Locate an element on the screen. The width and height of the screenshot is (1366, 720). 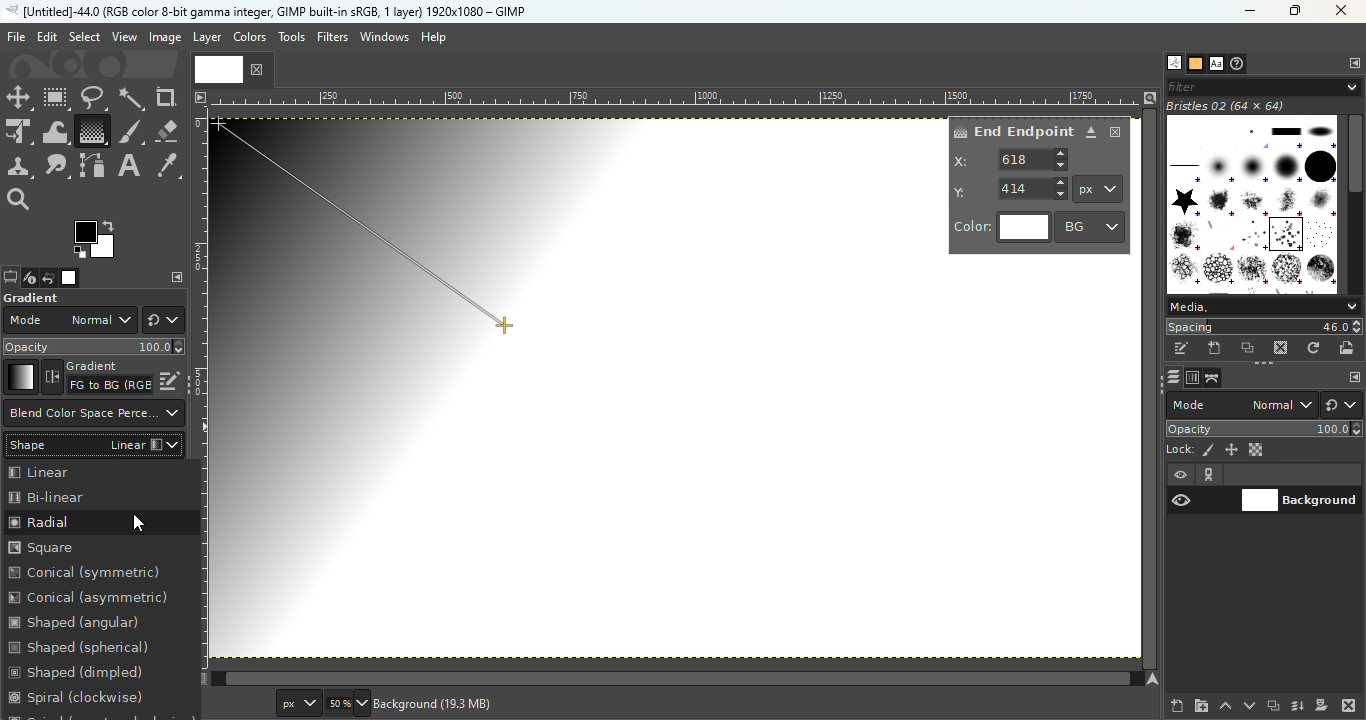
Layer is located at coordinates (206, 38).